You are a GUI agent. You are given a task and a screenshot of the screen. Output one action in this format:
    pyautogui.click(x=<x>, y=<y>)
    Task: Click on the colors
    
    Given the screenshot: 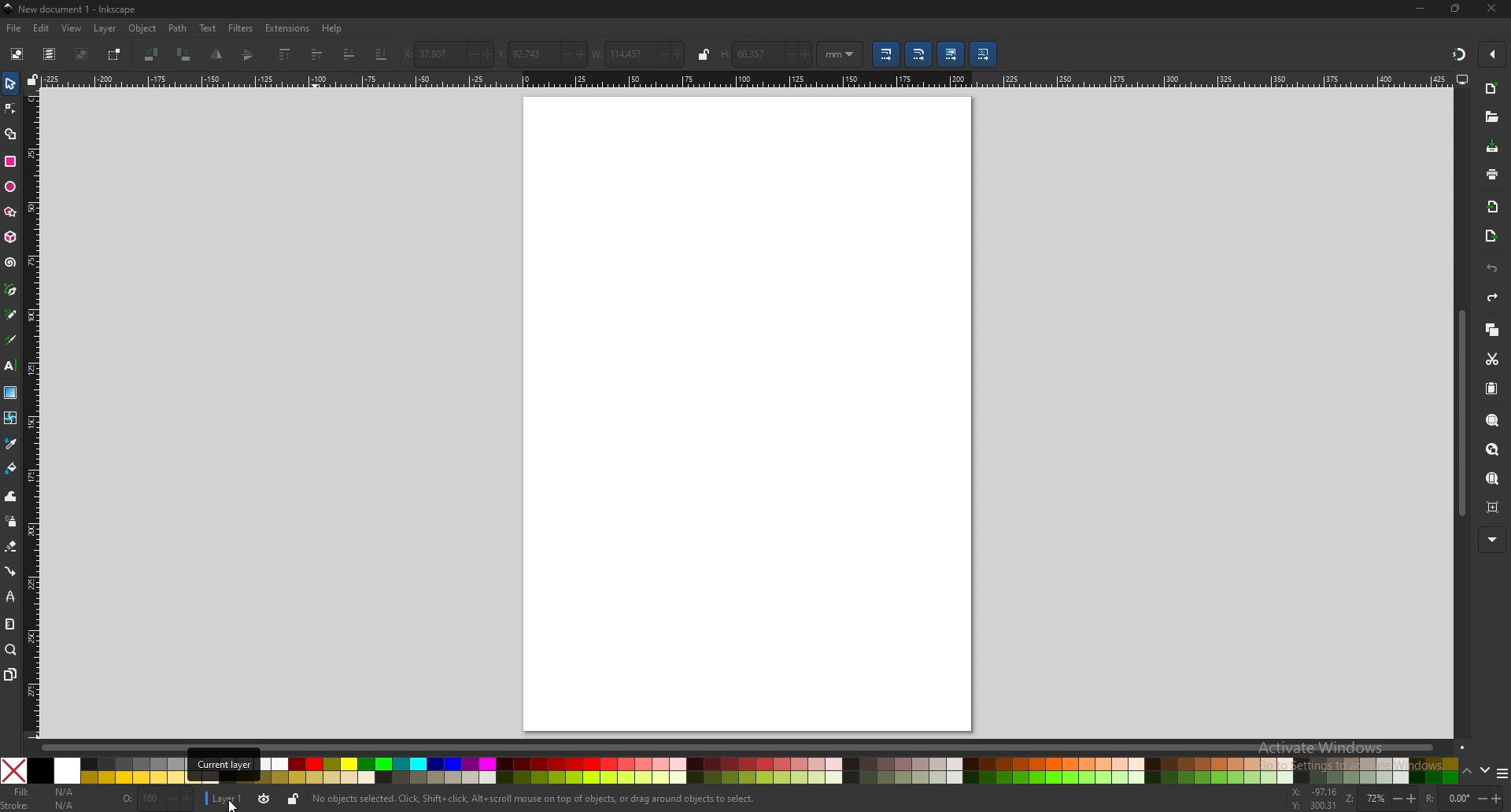 What is the action you would take?
    pyautogui.click(x=133, y=770)
    